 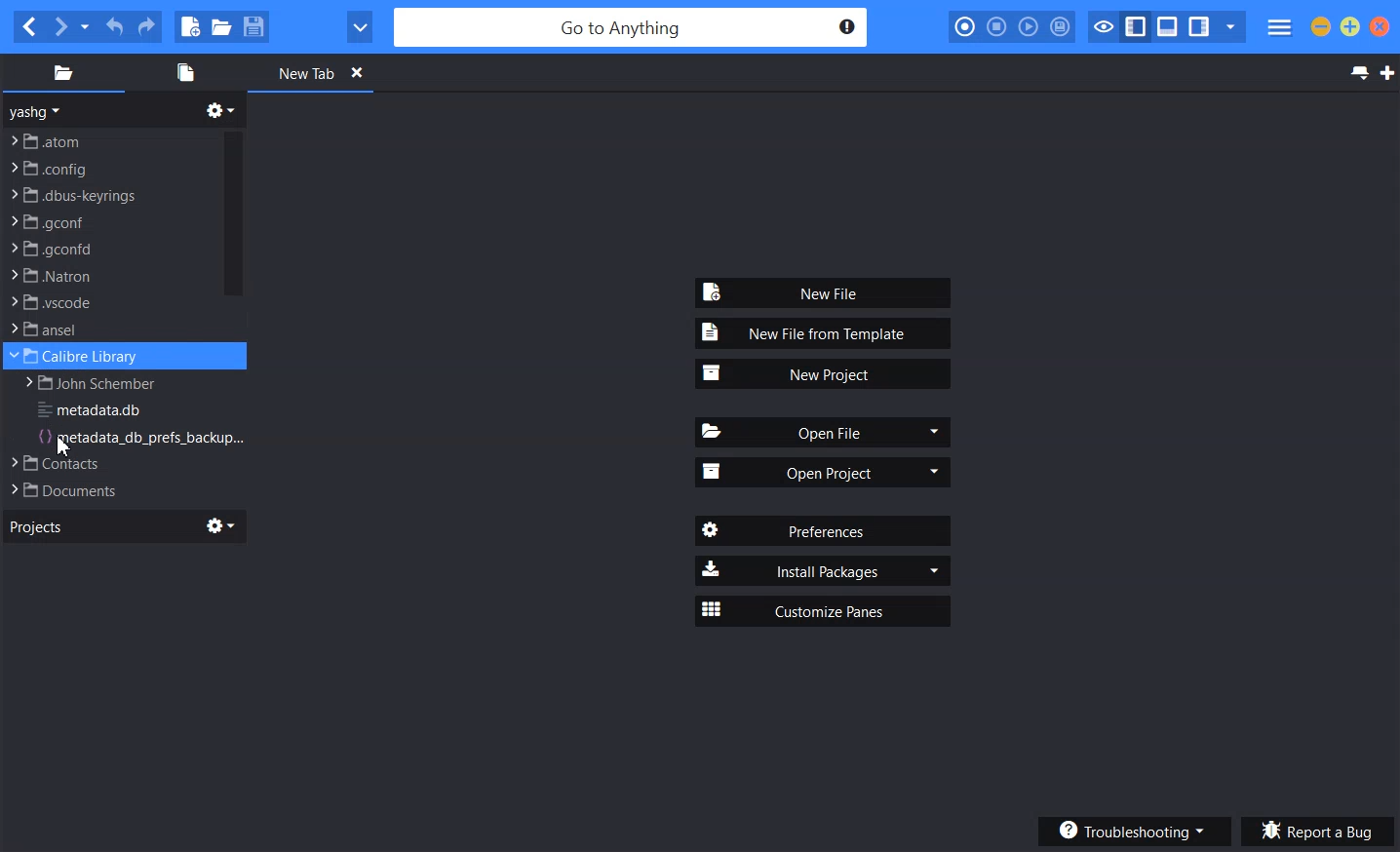 I want to click on Close, so click(x=1380, y=26).